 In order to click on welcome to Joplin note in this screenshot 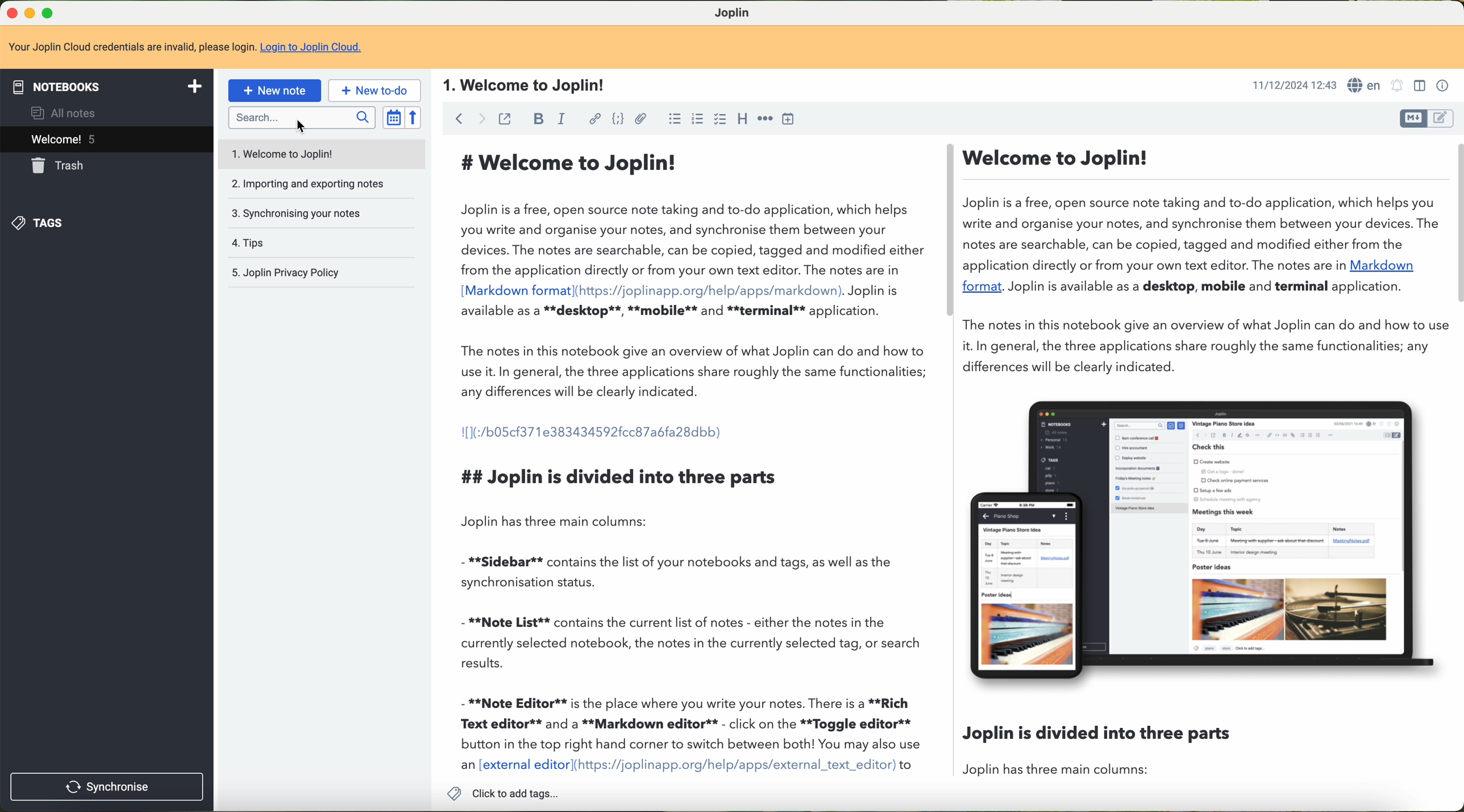, I will do `click(320, 155)`.